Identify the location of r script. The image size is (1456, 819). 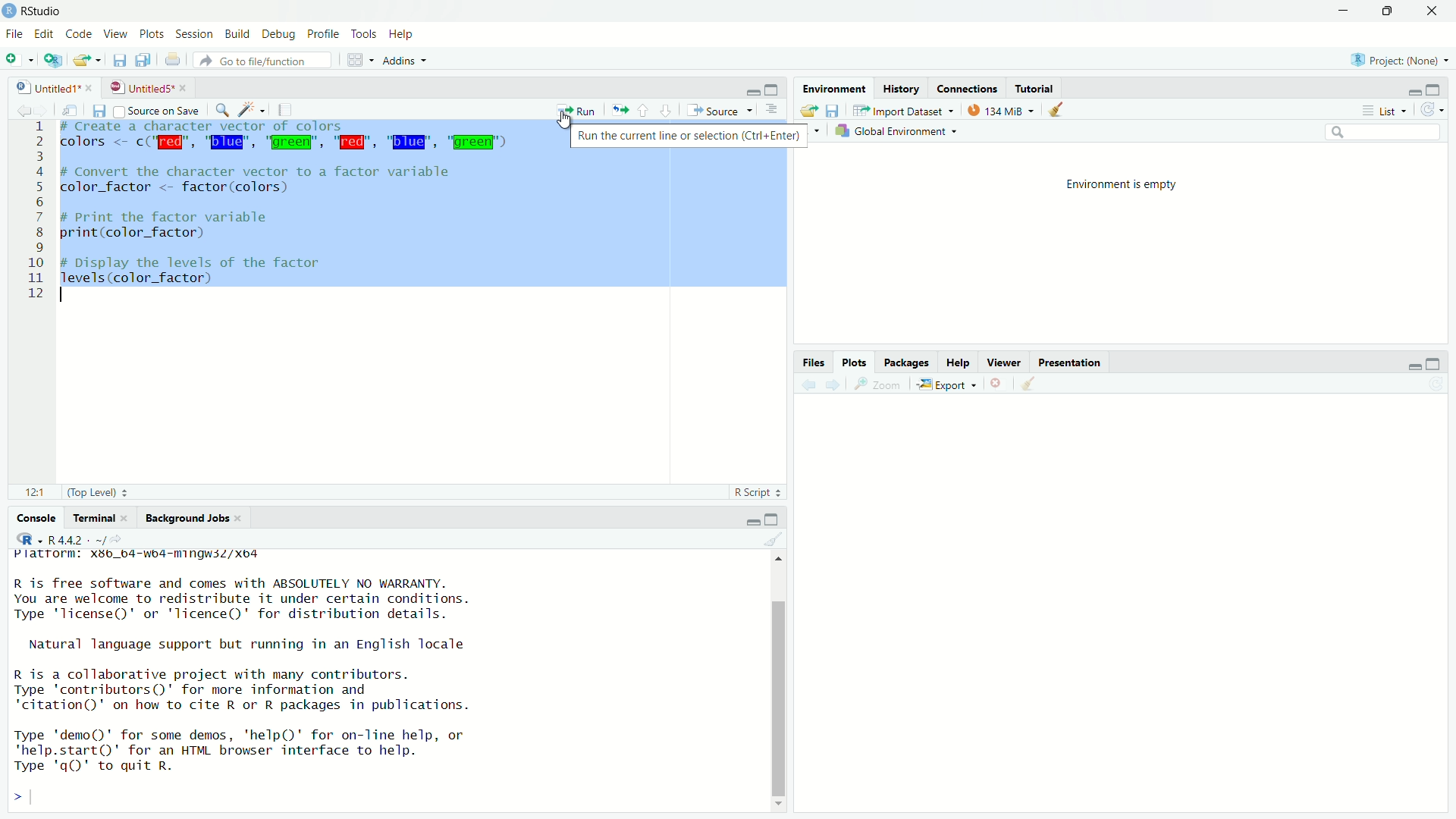
(758, 492).